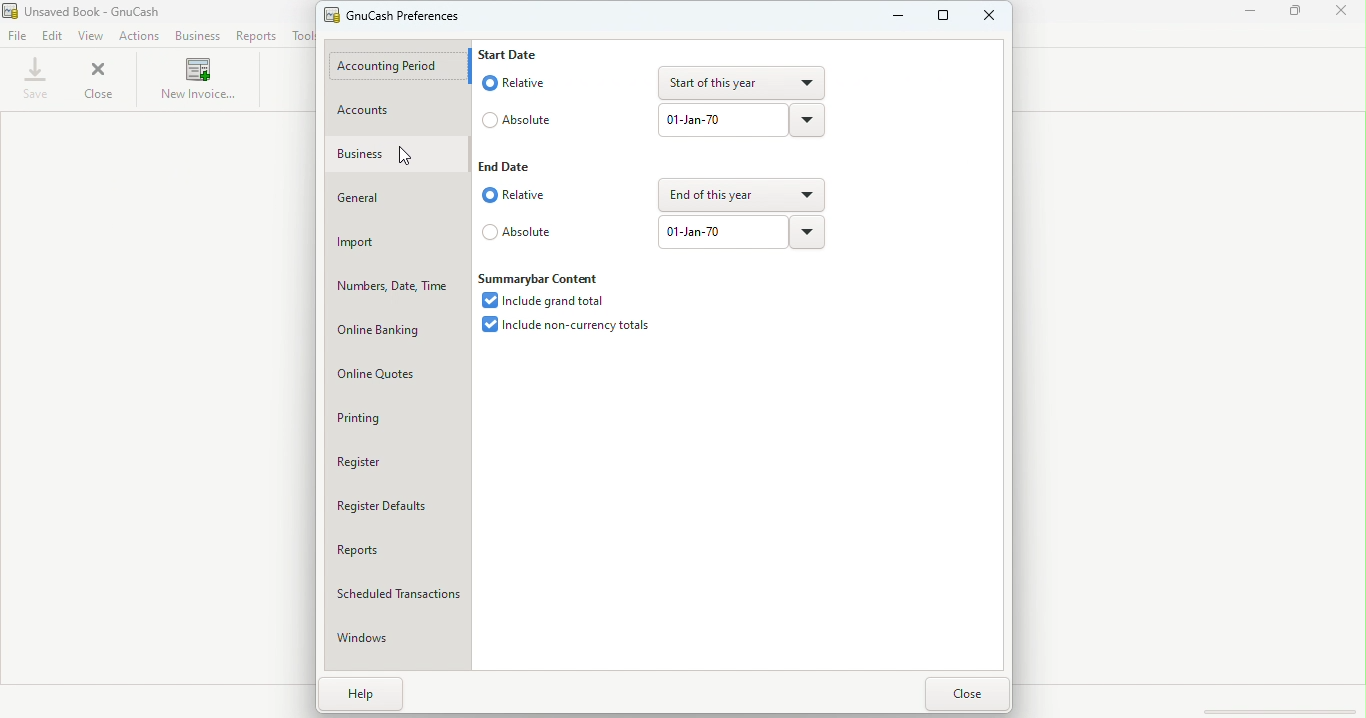  I want to click on Scheduled transactions, so click(394, 595).